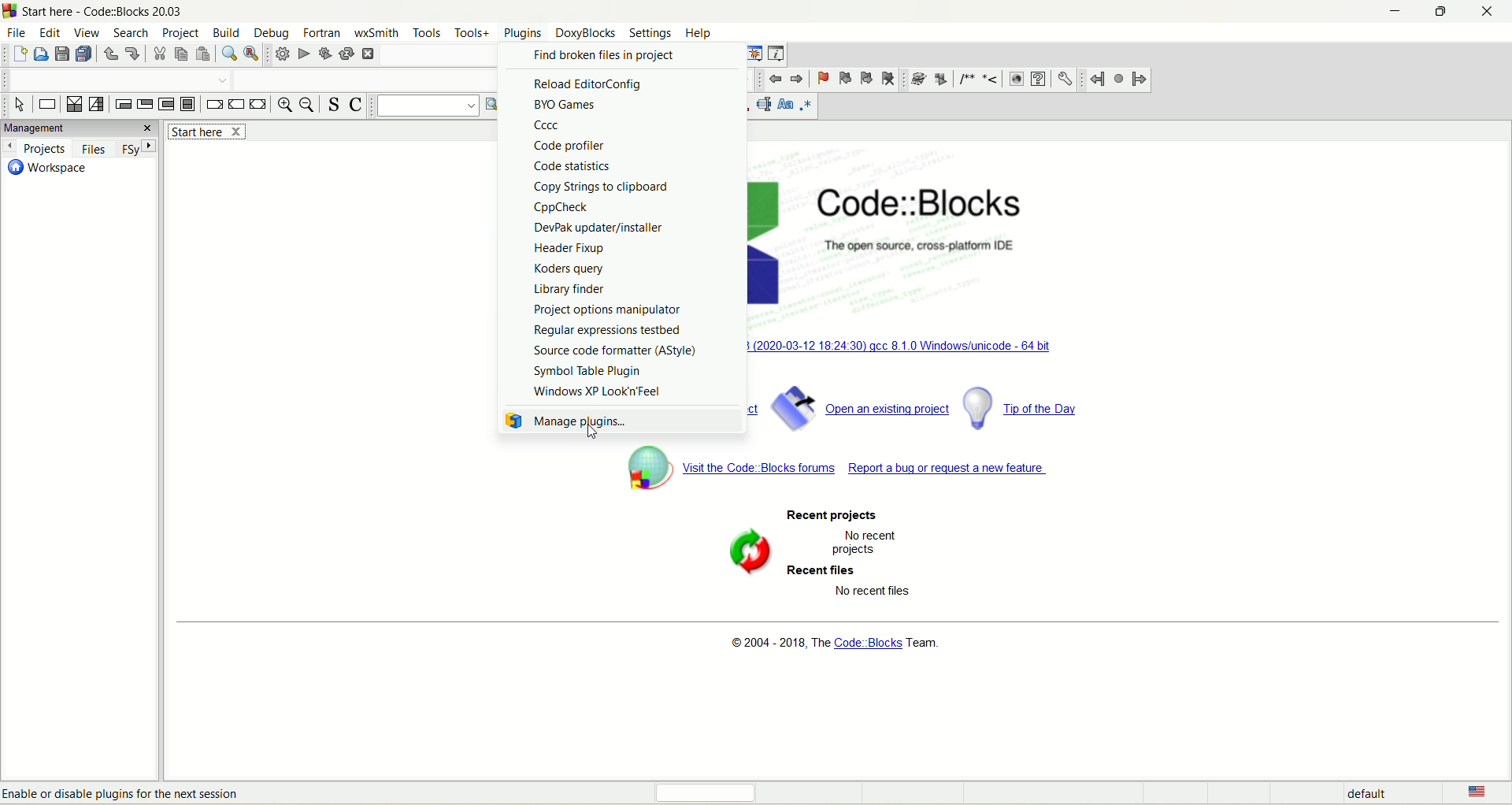 Image resolution: width=1512 pixels, height=805 pixels. I want to click on search, so click(134, 34).